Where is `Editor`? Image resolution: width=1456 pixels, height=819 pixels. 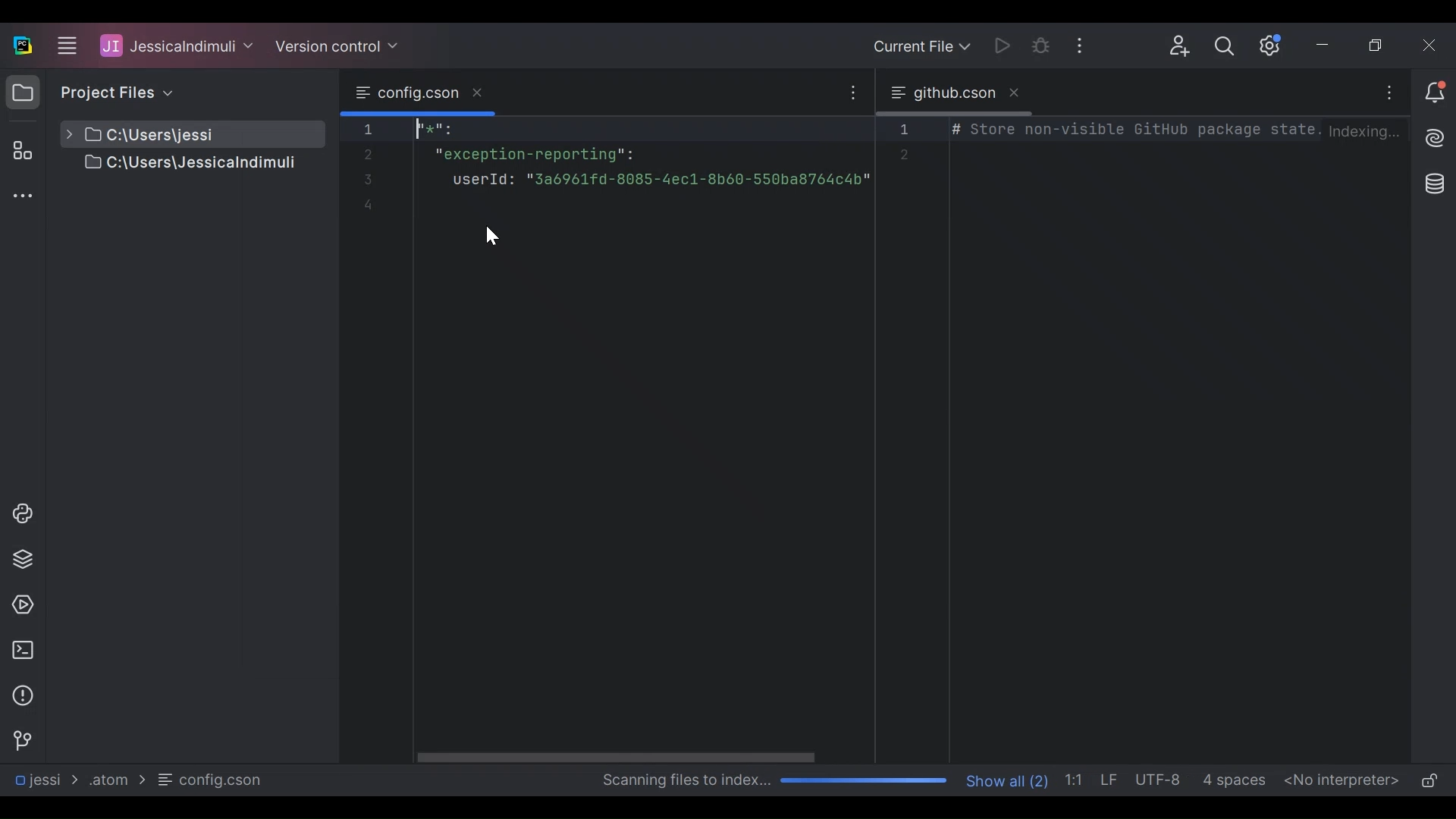
Editor is located at coordinates (601, 431).